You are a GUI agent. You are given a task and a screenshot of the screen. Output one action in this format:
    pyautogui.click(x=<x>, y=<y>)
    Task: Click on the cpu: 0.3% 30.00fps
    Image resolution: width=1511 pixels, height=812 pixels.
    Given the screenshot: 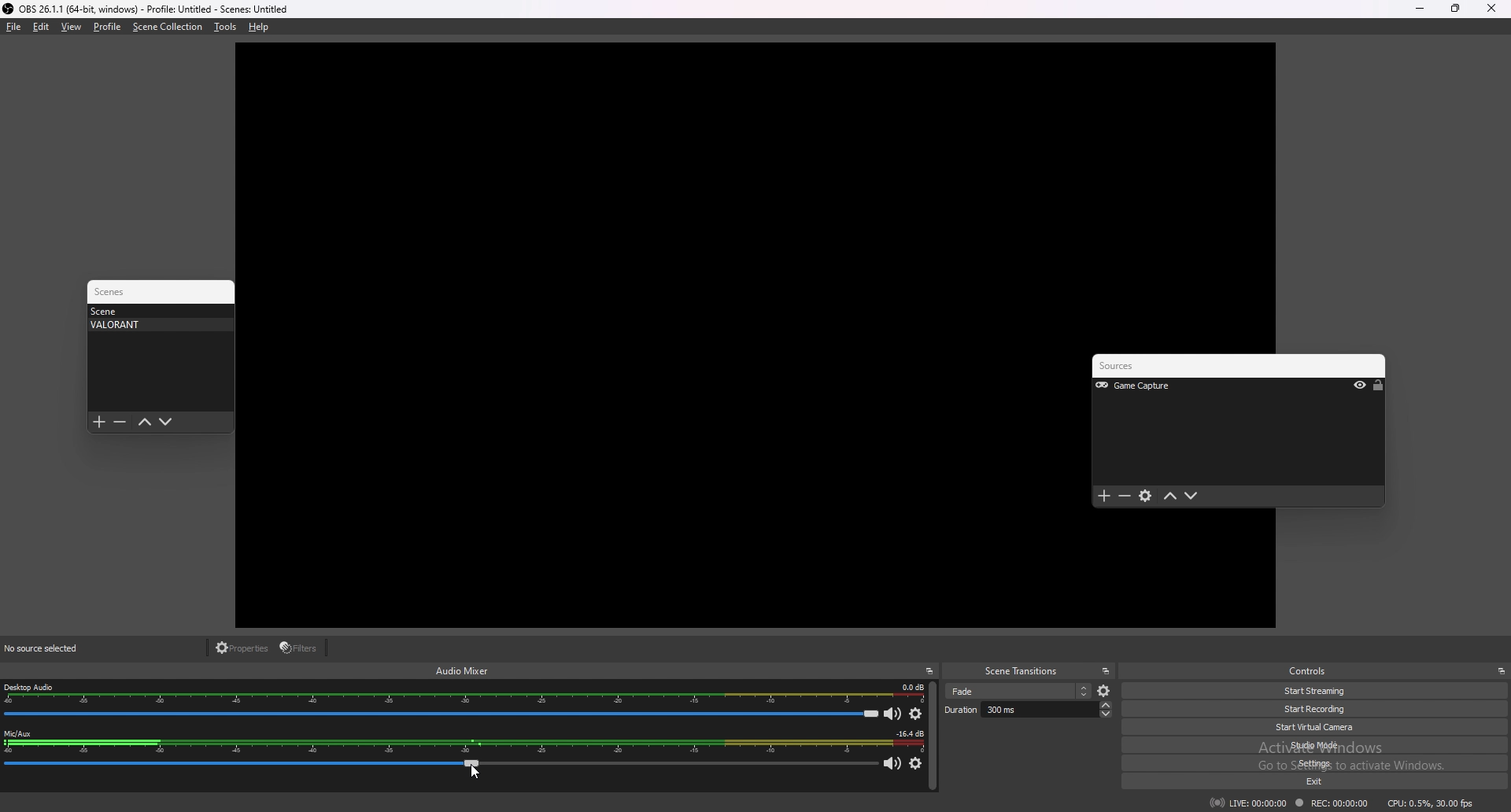 What is the action you would take?
    pyautogui.click(x=1431, y=802)
    